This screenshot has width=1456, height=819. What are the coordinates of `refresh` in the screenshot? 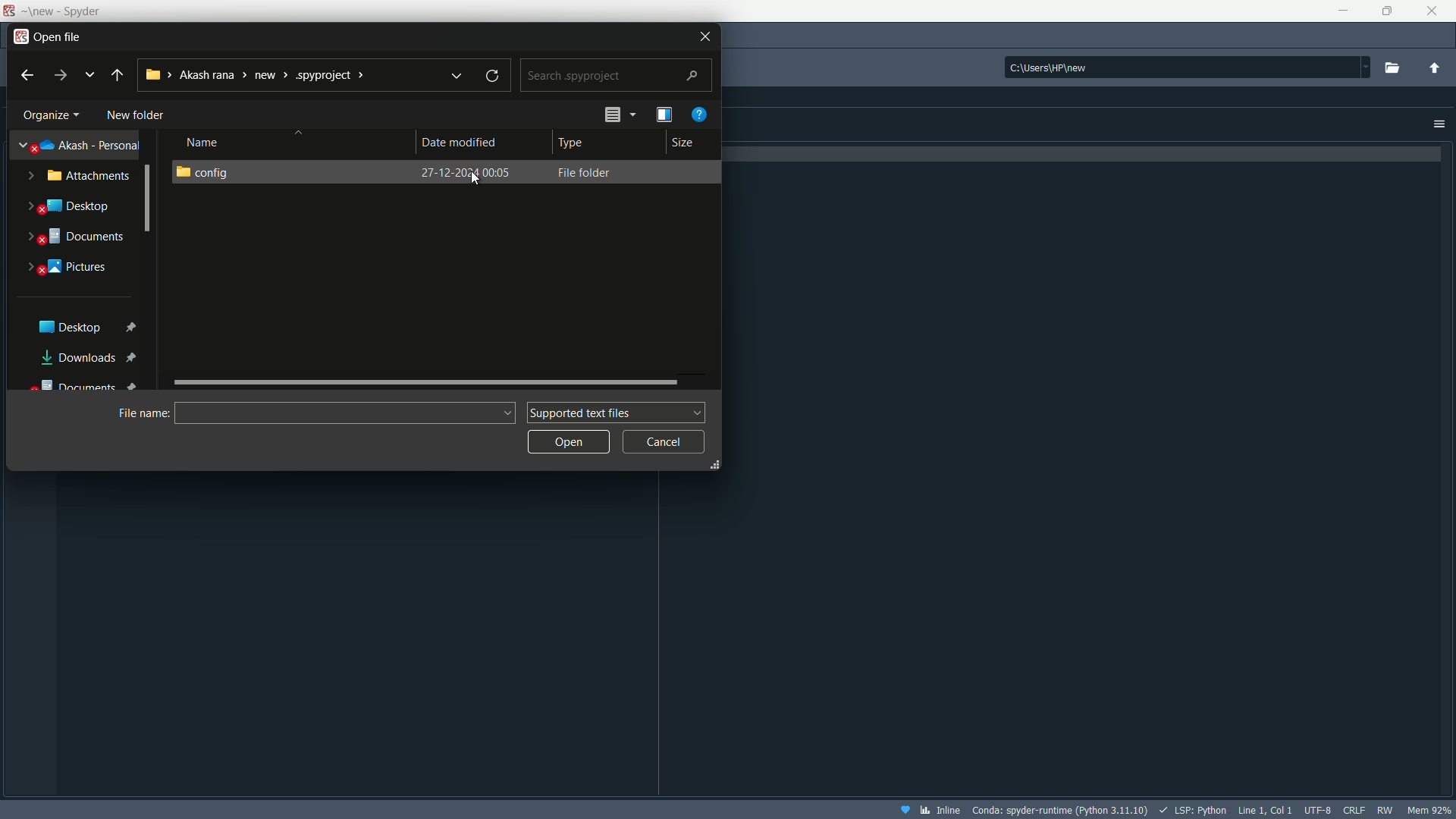 It's located at (493, 76).